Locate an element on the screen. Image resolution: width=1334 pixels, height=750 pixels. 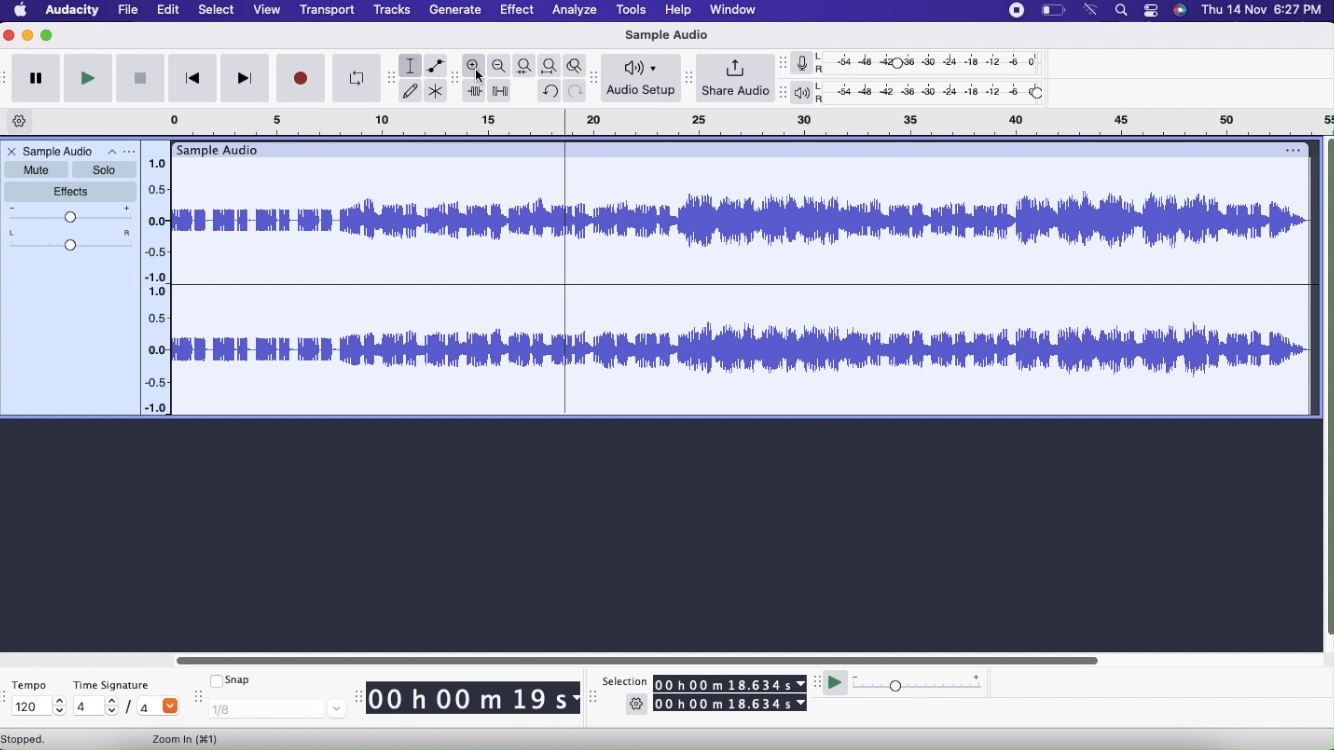
Tempo is located at coordinates (30, 683).